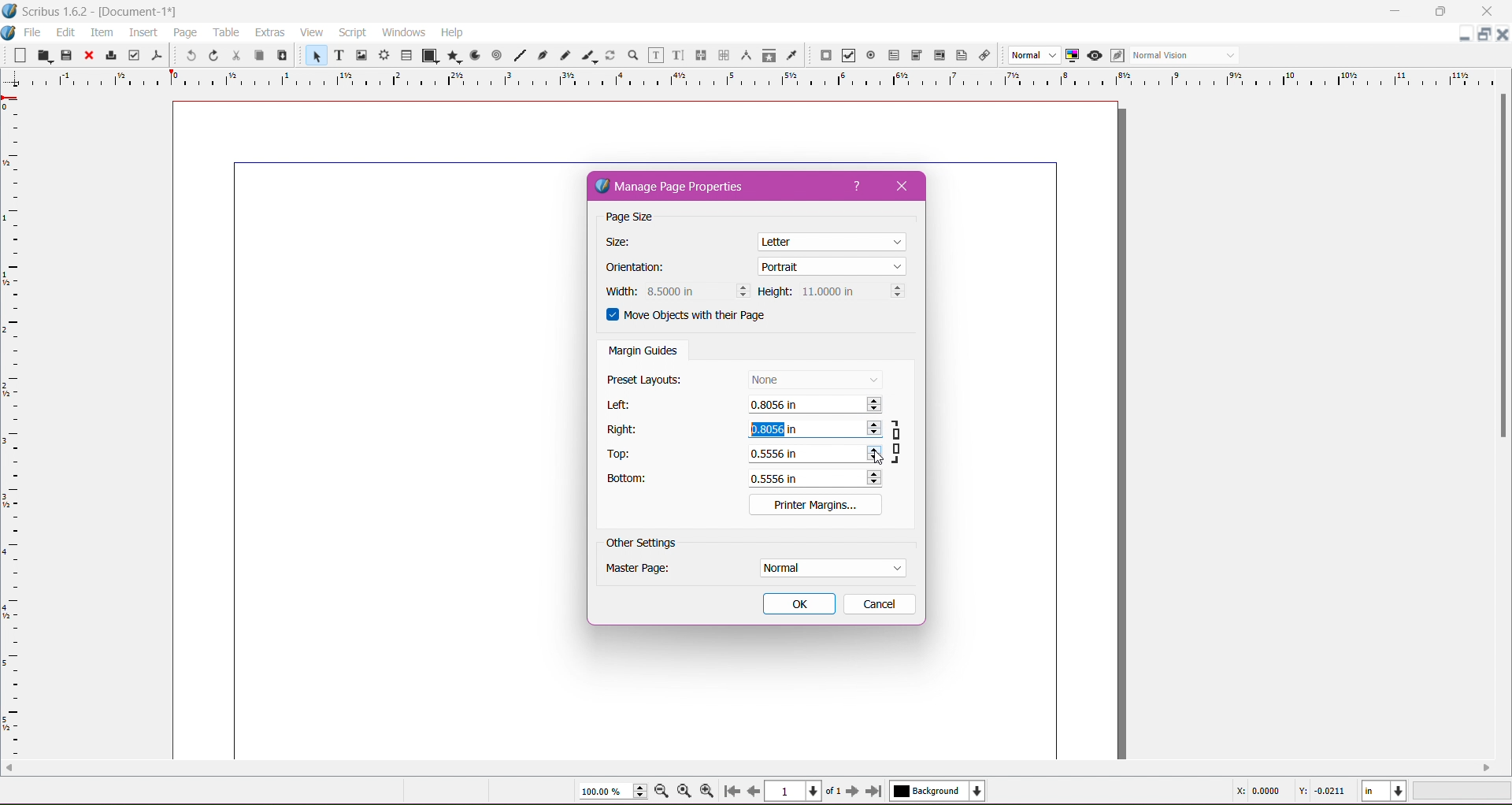 The image size is (1512, 805). What do you see at coordinates (817, 478) in the screenshot?
I see `Set Bottom margin` at bounding box center [817, 478].